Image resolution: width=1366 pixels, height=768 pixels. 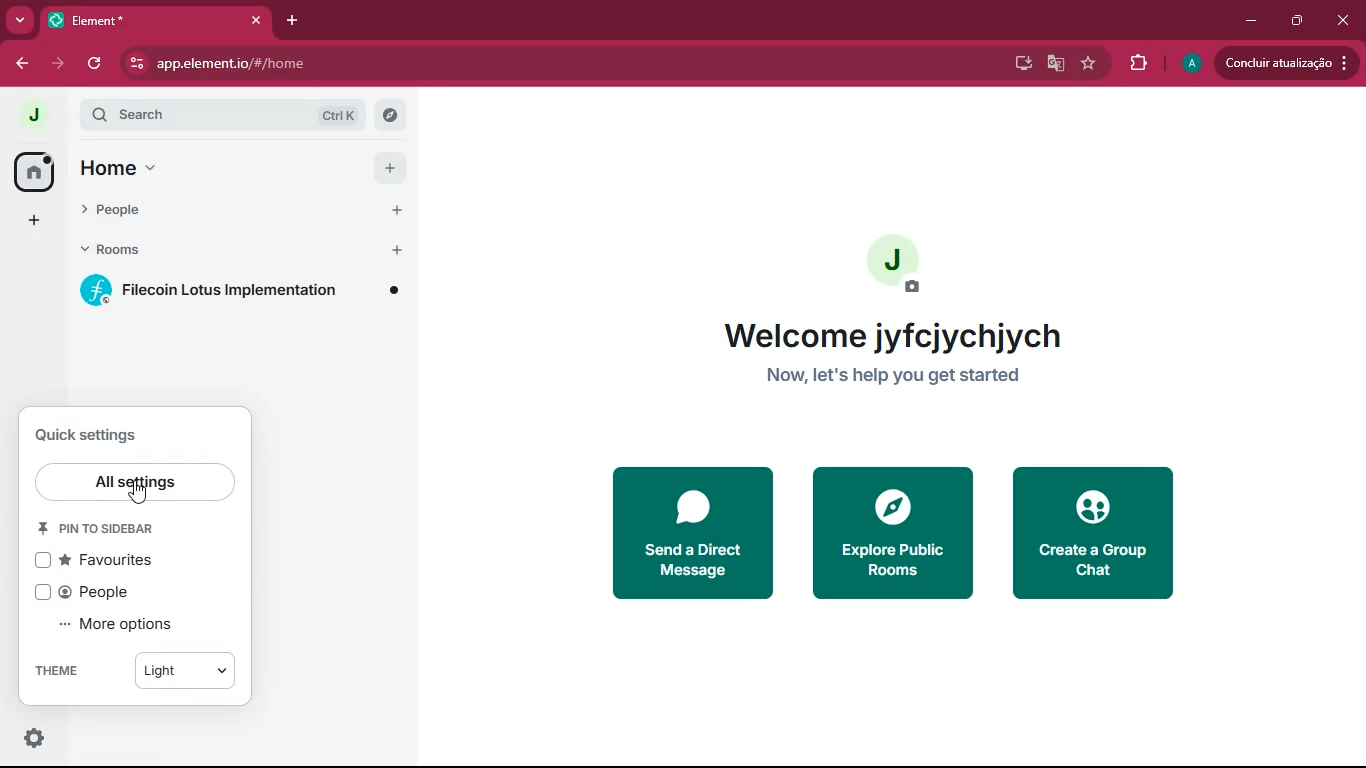 What do you see at coordinates (1140, 63) in the screenshot?
I see `extensions` at bounding box center [1140, 63].